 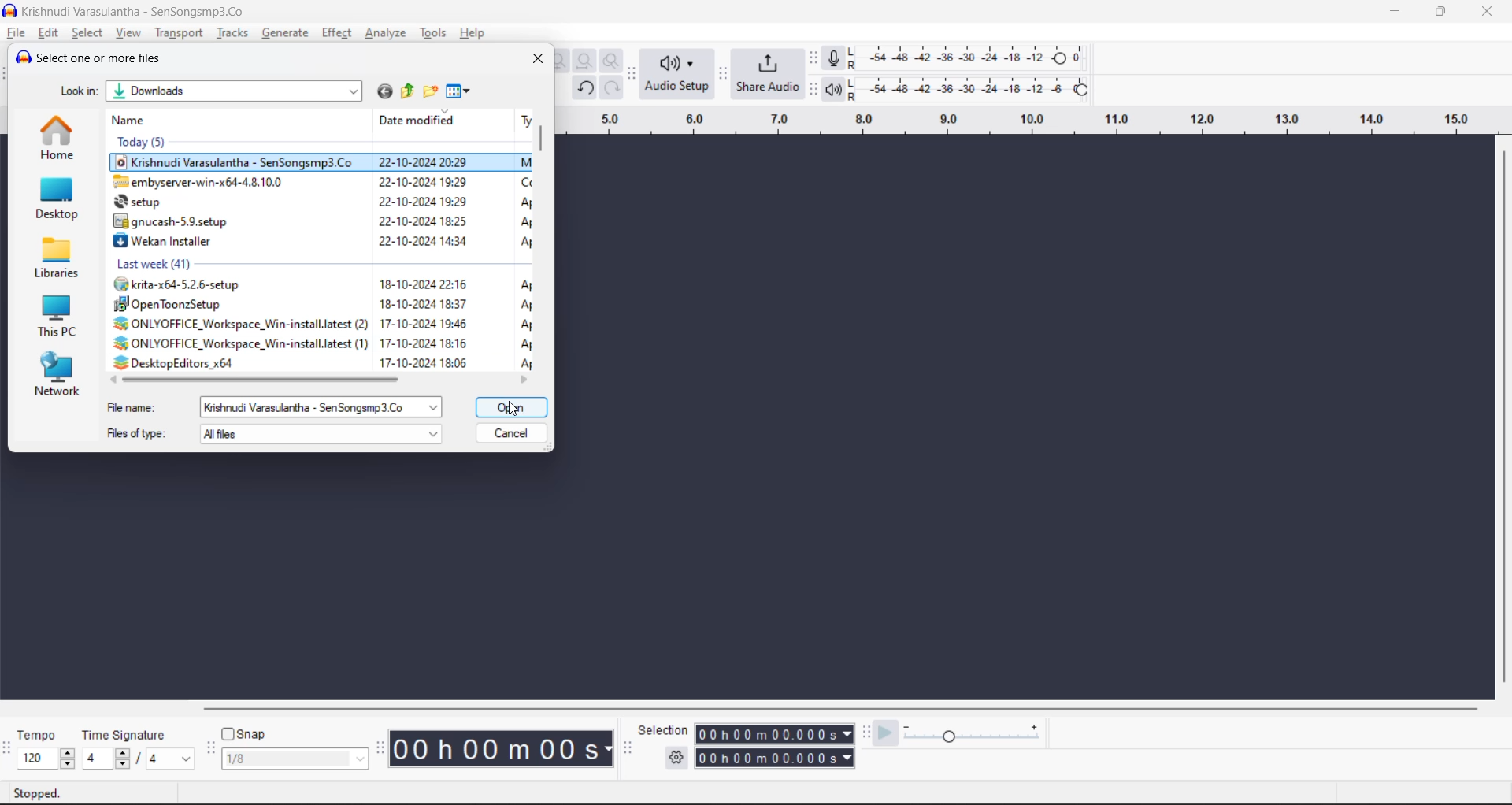 I want to click on edit, so click(x=49, y=33).